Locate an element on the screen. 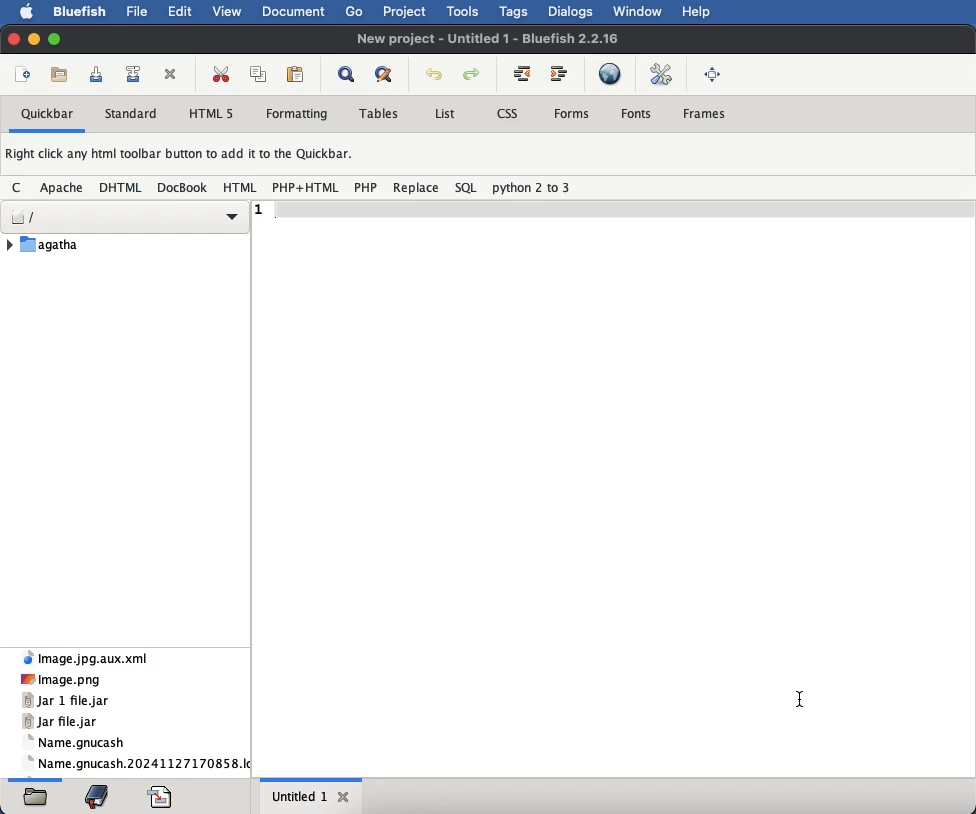  c is located at coordinates (20, 188).